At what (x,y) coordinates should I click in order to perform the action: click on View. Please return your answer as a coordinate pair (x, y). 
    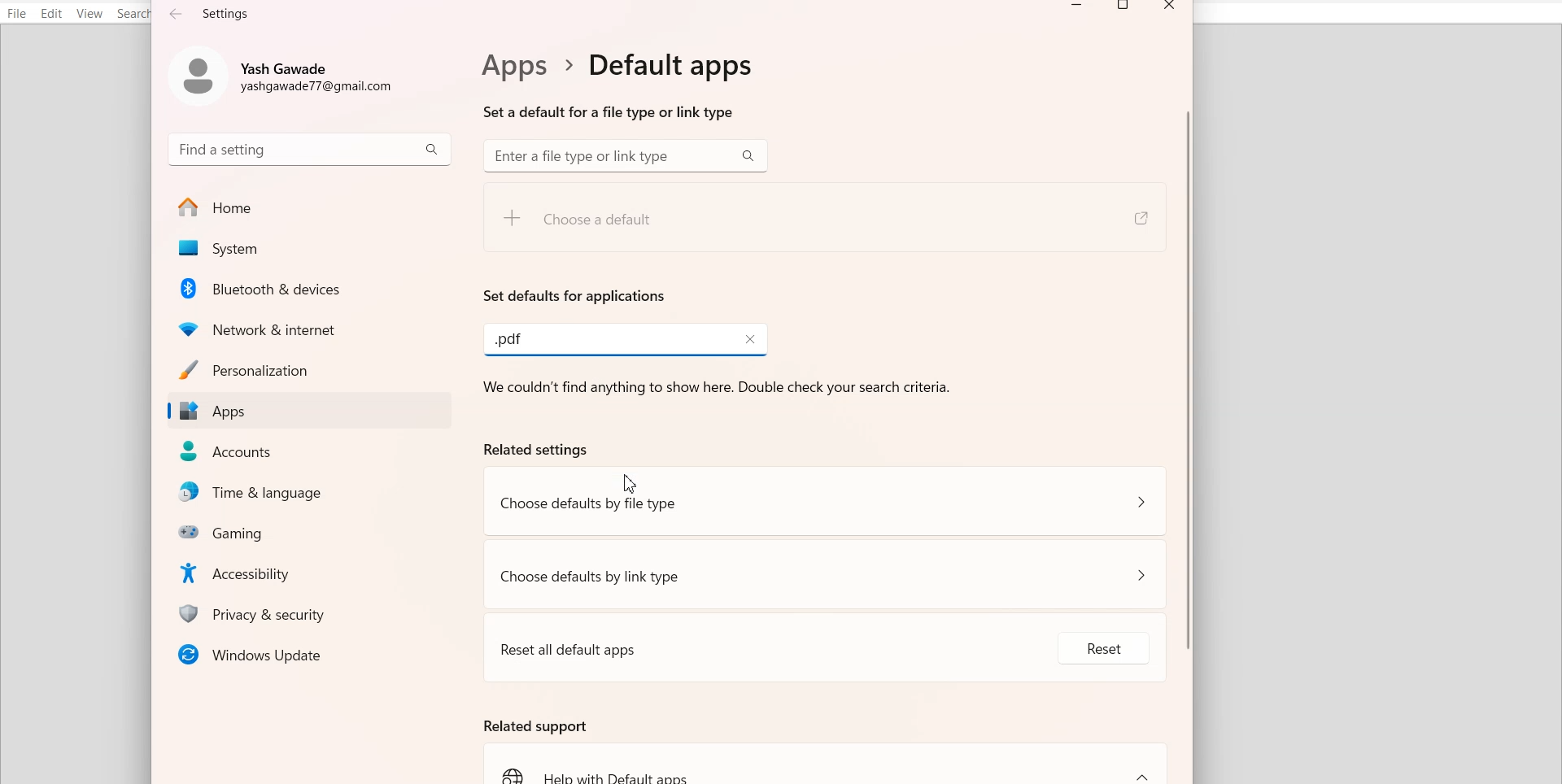
    Looking at the image, I should click on (89, 14).